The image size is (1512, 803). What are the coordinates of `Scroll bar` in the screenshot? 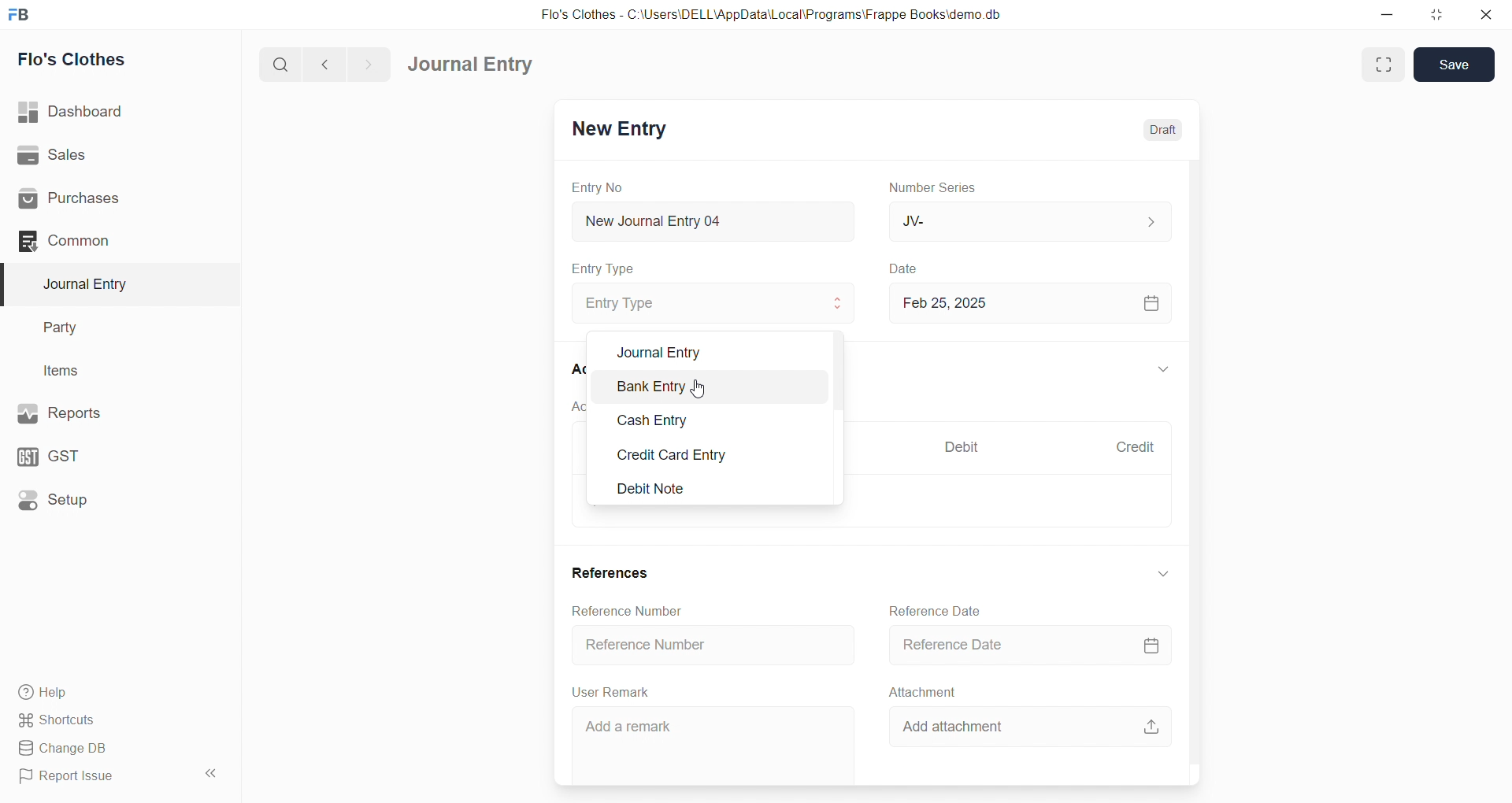 It's located at (1203, 450).